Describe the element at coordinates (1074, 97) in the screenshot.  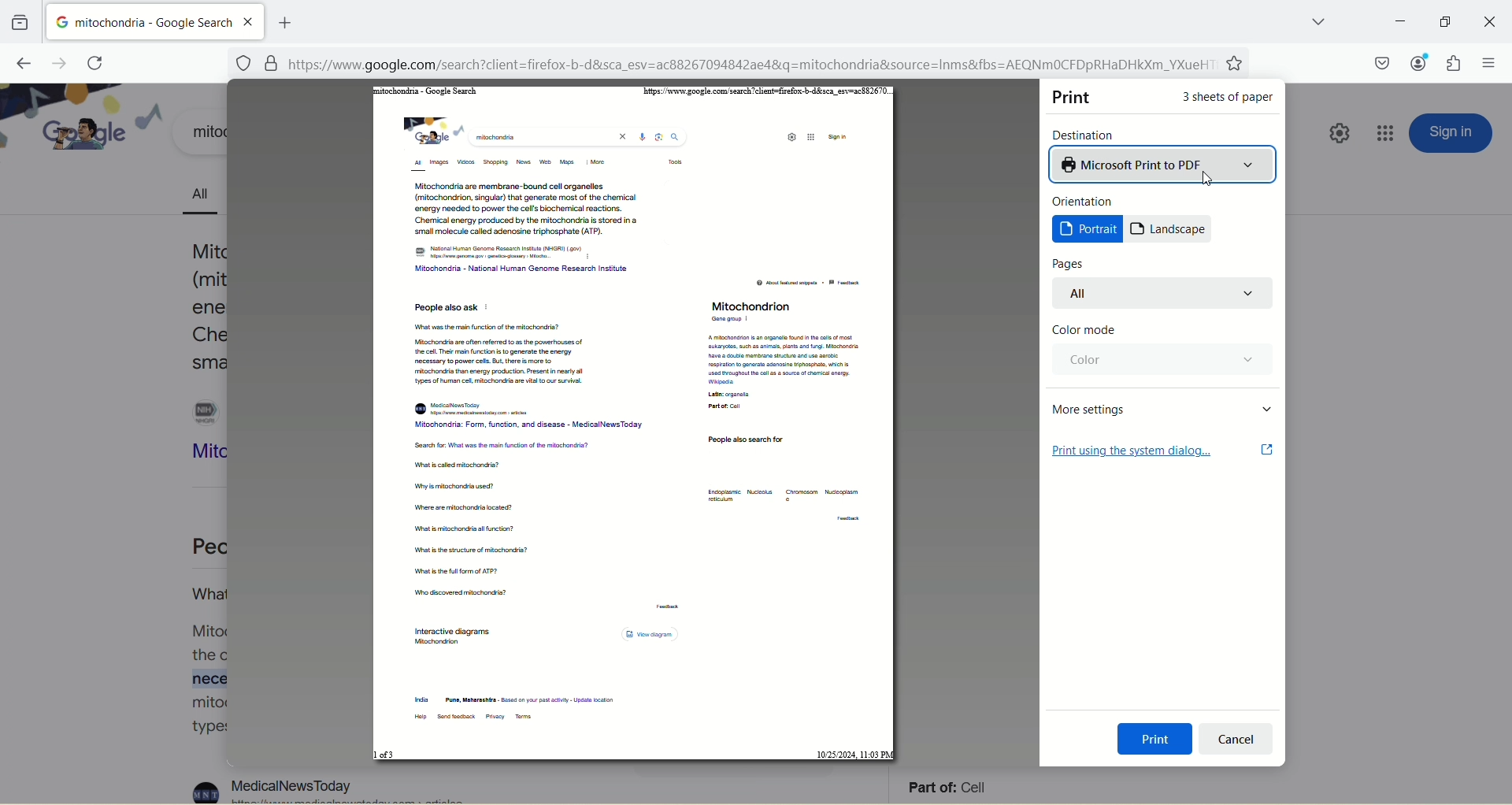
I see `print` at that location.